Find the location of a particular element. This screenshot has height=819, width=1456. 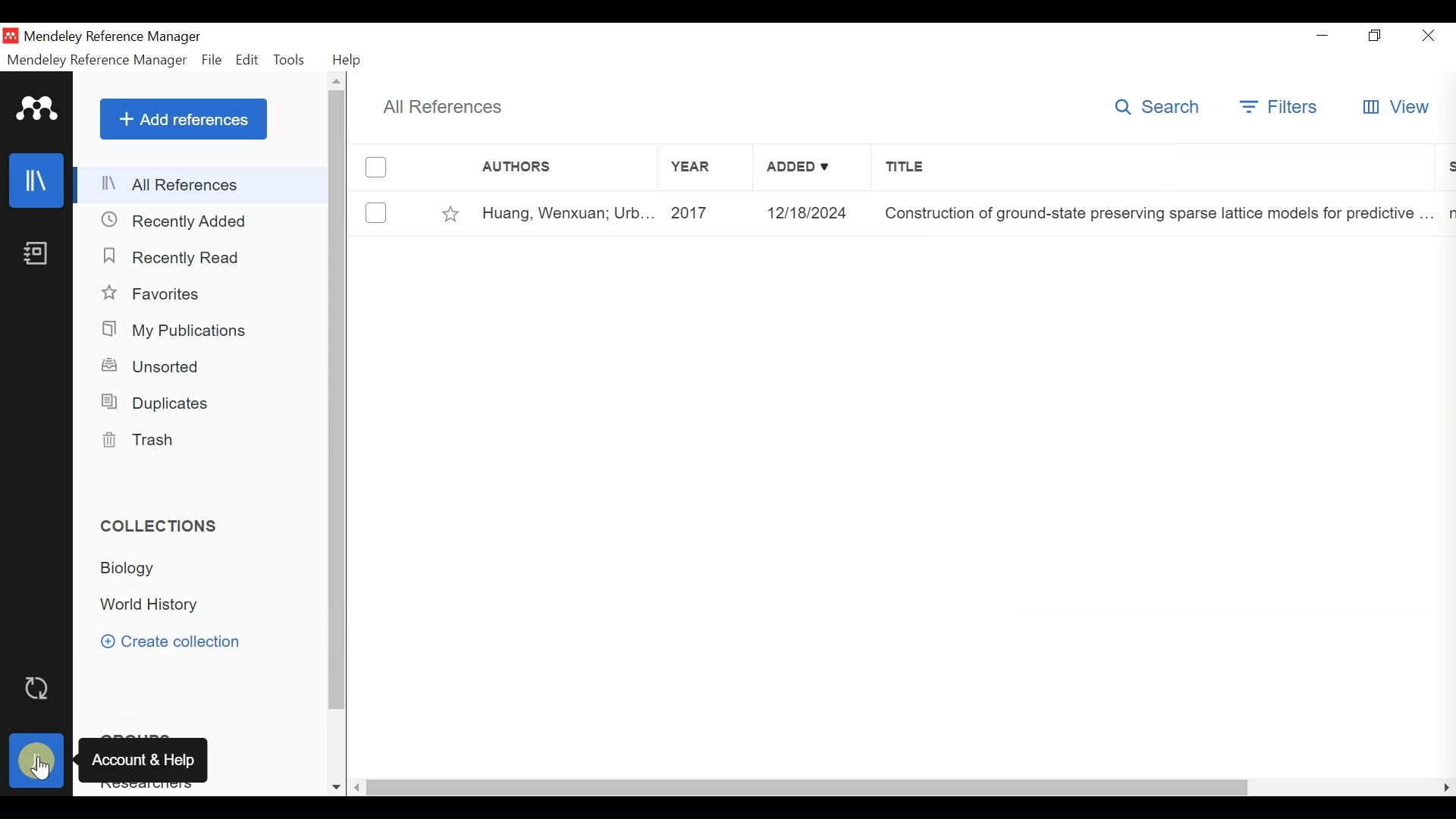

Unsorted is located at coordinates (154, 367).